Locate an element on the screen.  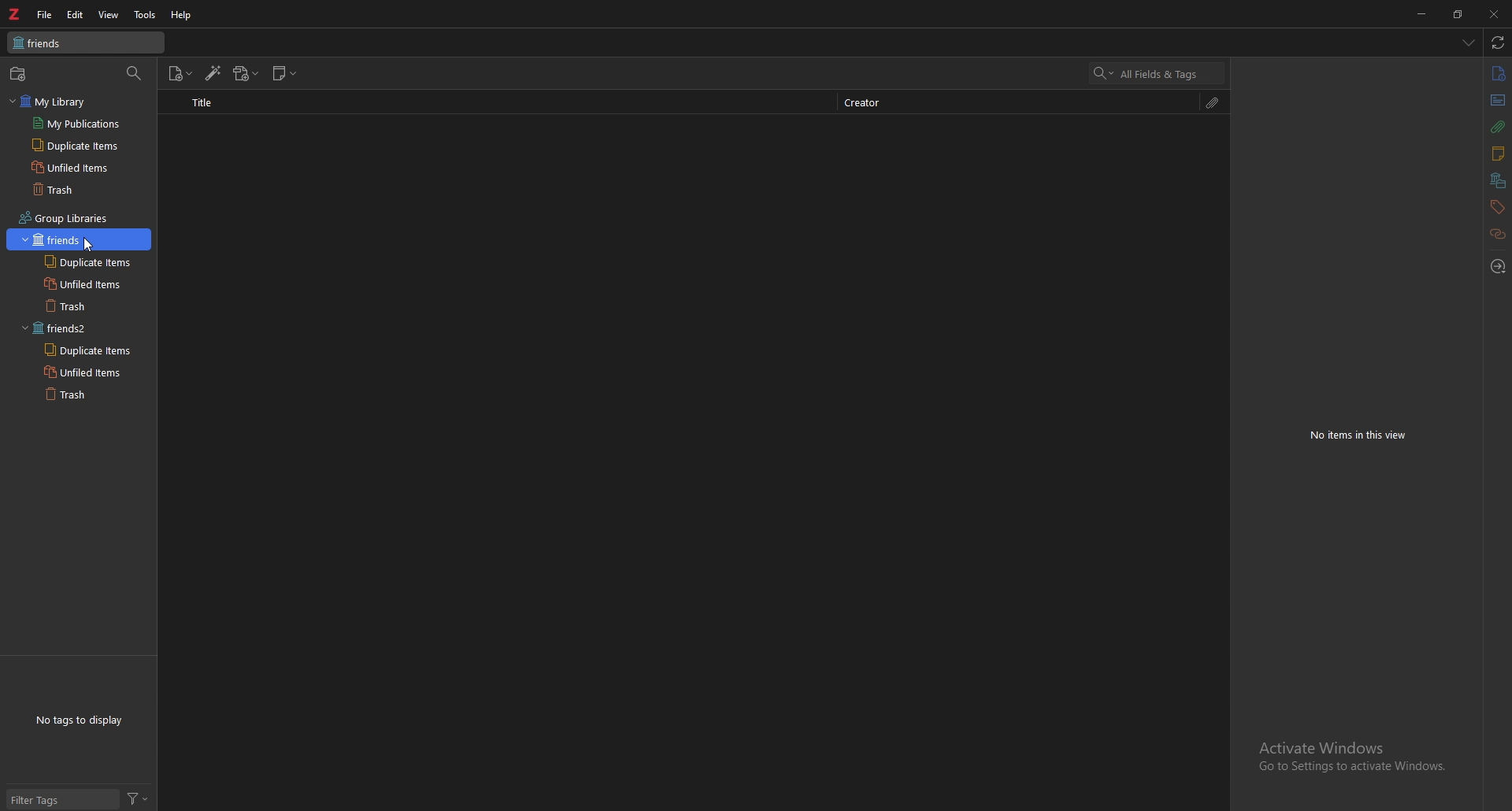
creator is located at coordinates (879, 101).